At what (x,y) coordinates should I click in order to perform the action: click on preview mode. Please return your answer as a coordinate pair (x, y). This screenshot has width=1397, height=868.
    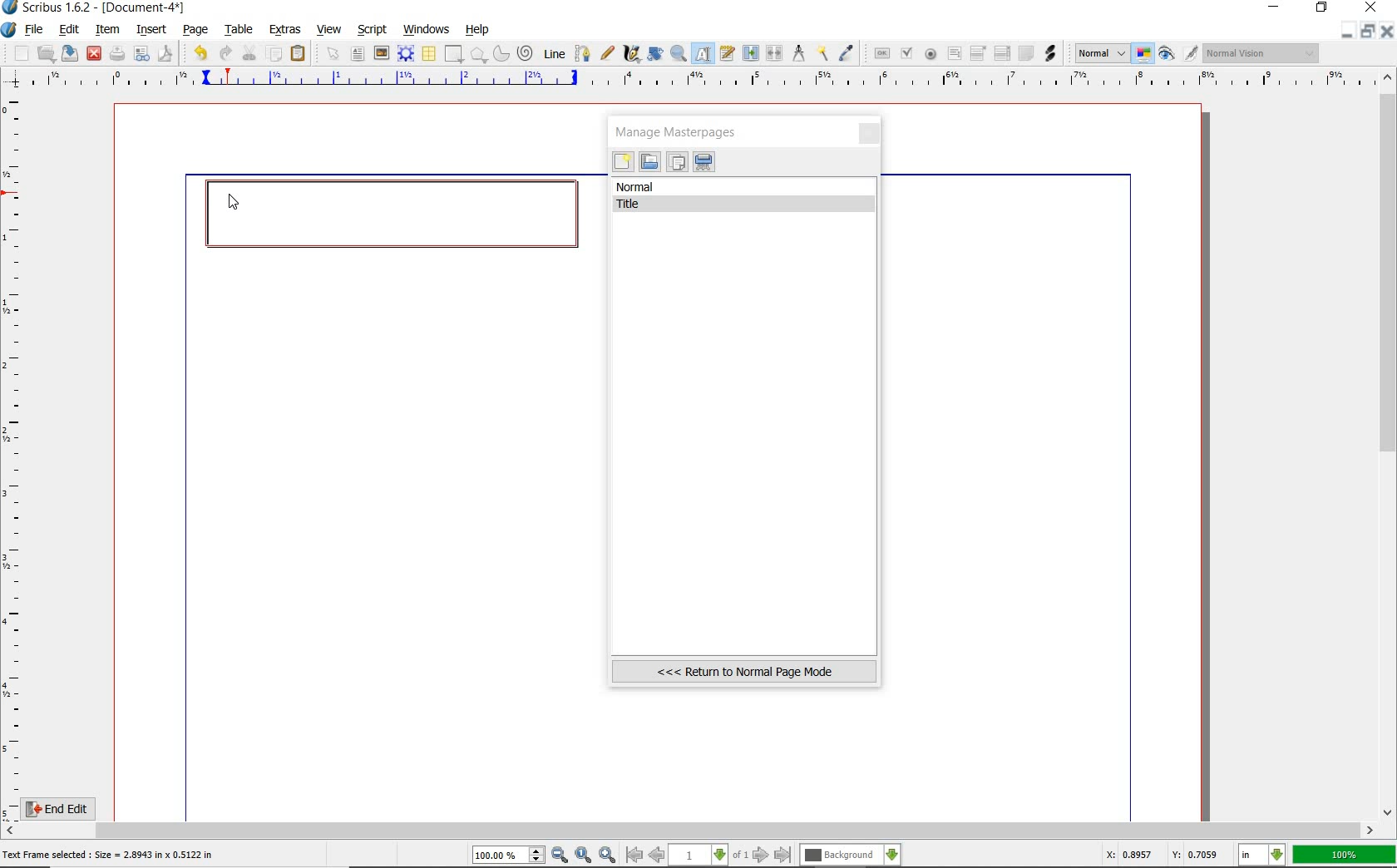
    Looking at the image, I should click on (1179, 53).